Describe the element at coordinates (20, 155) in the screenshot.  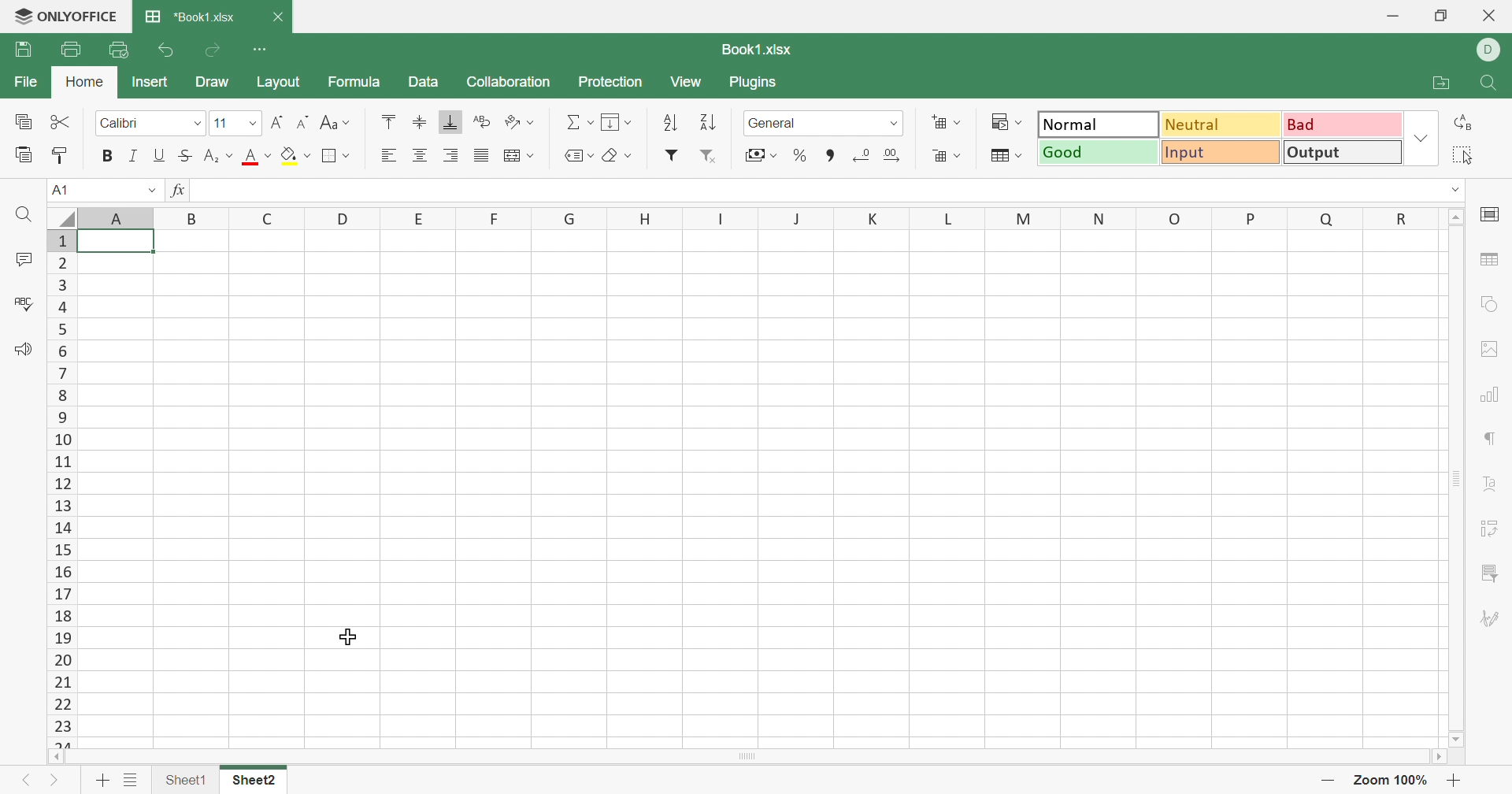
I see `Paste` at that location.